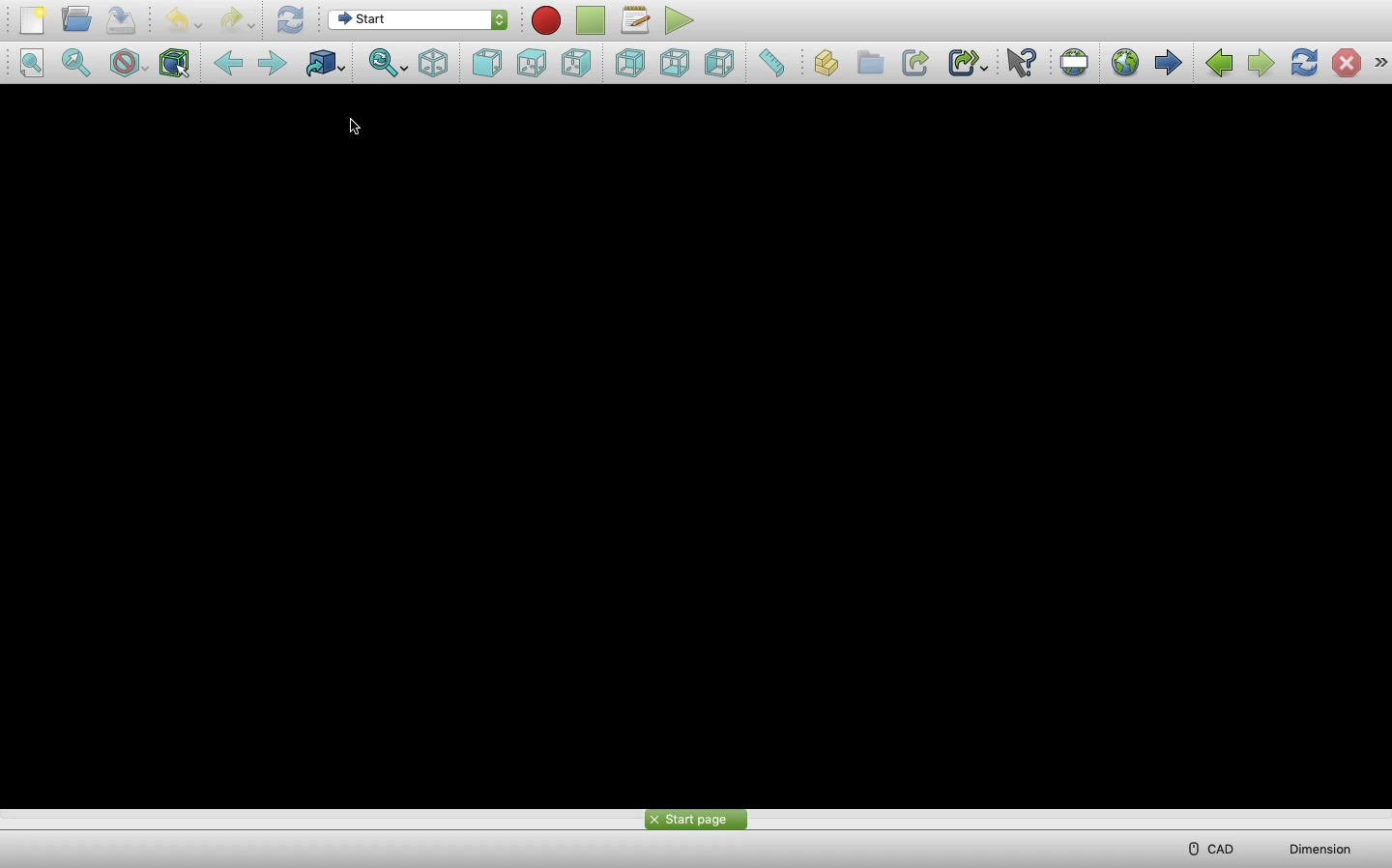  I want to click on Fit All, so click(75, 62).